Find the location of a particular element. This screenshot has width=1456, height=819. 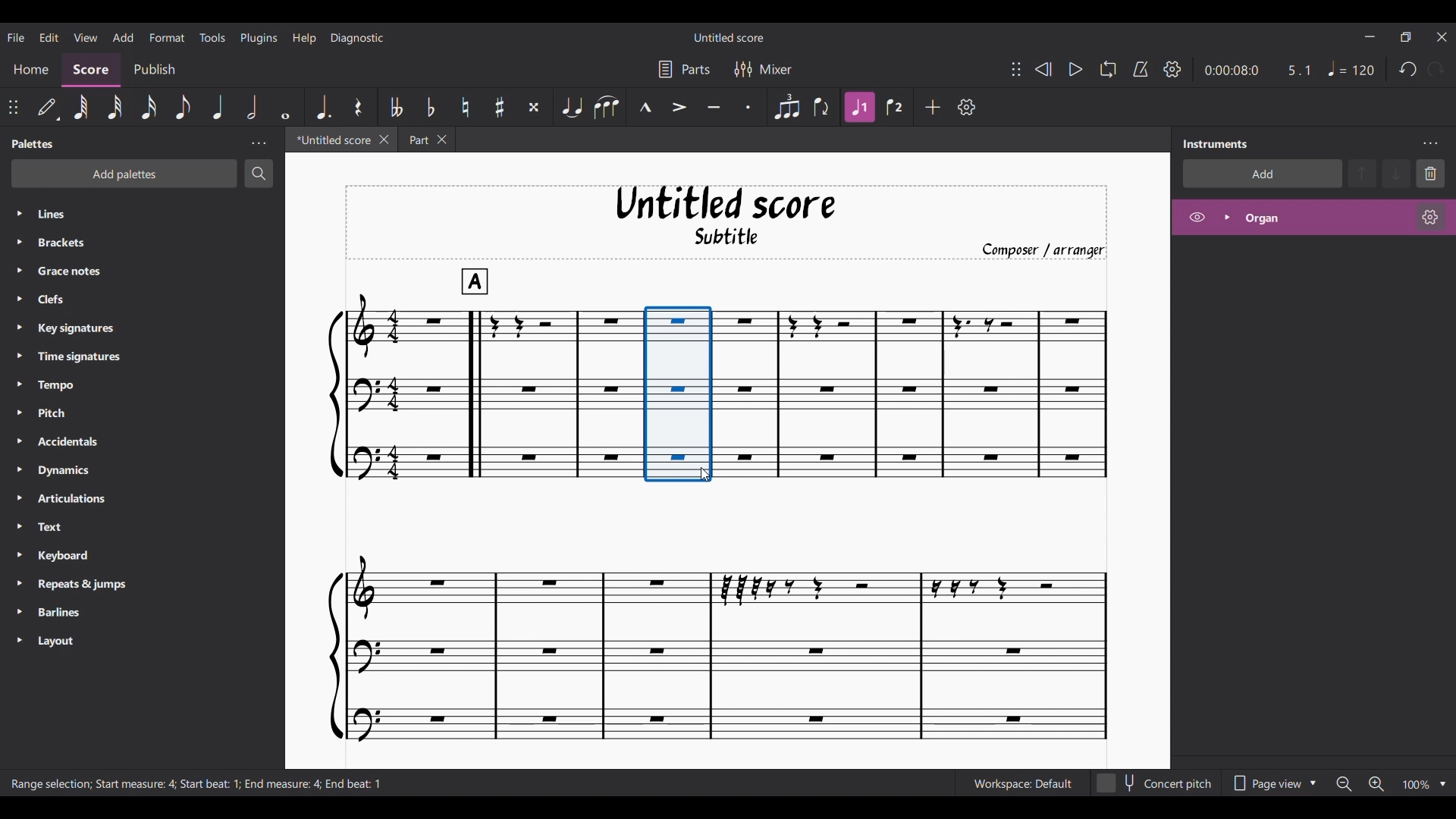

Augmentation dot is located at coordinates (325, 106).